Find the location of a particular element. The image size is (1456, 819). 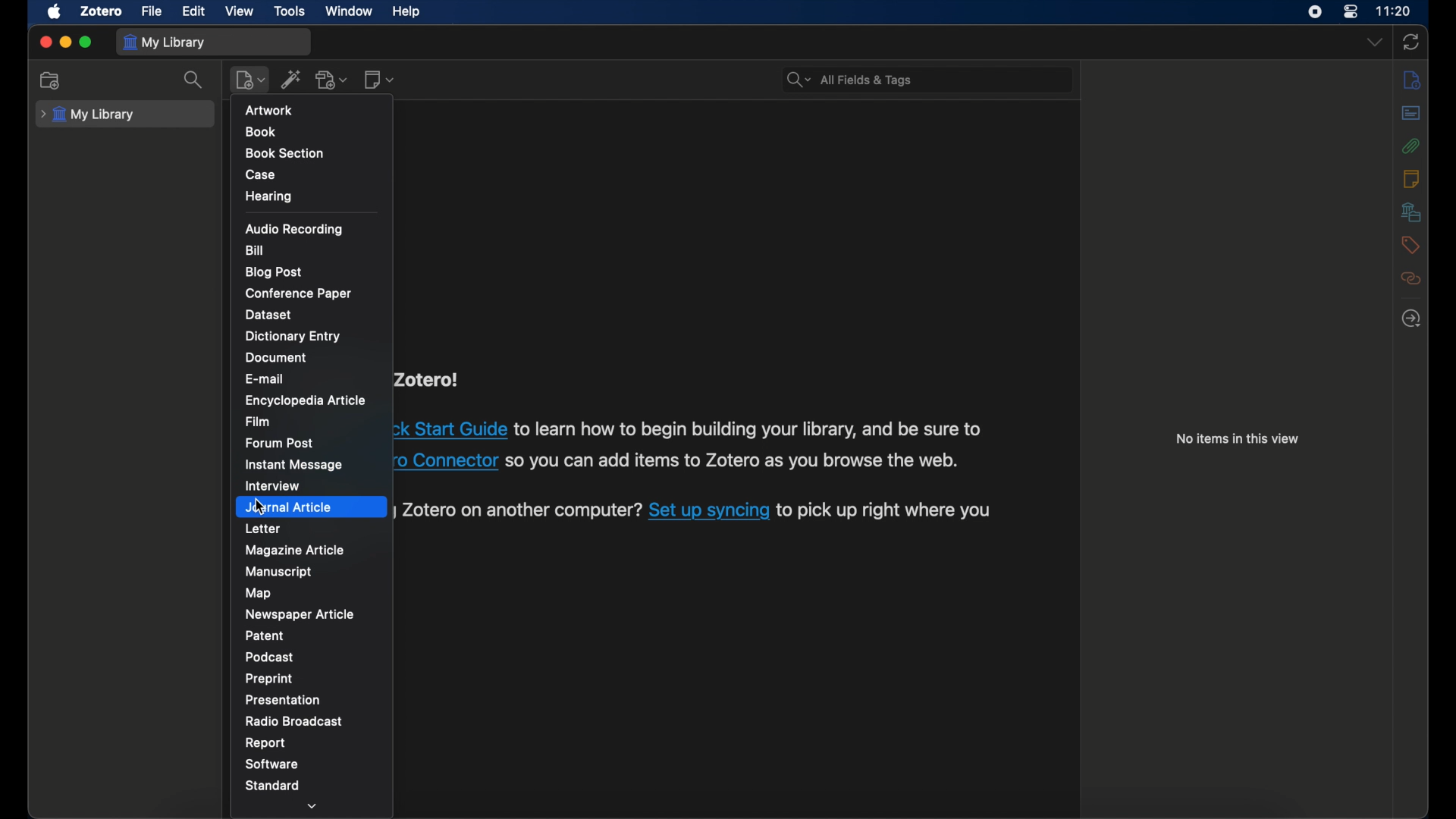

tool tip is located at coordinates (279, 115).